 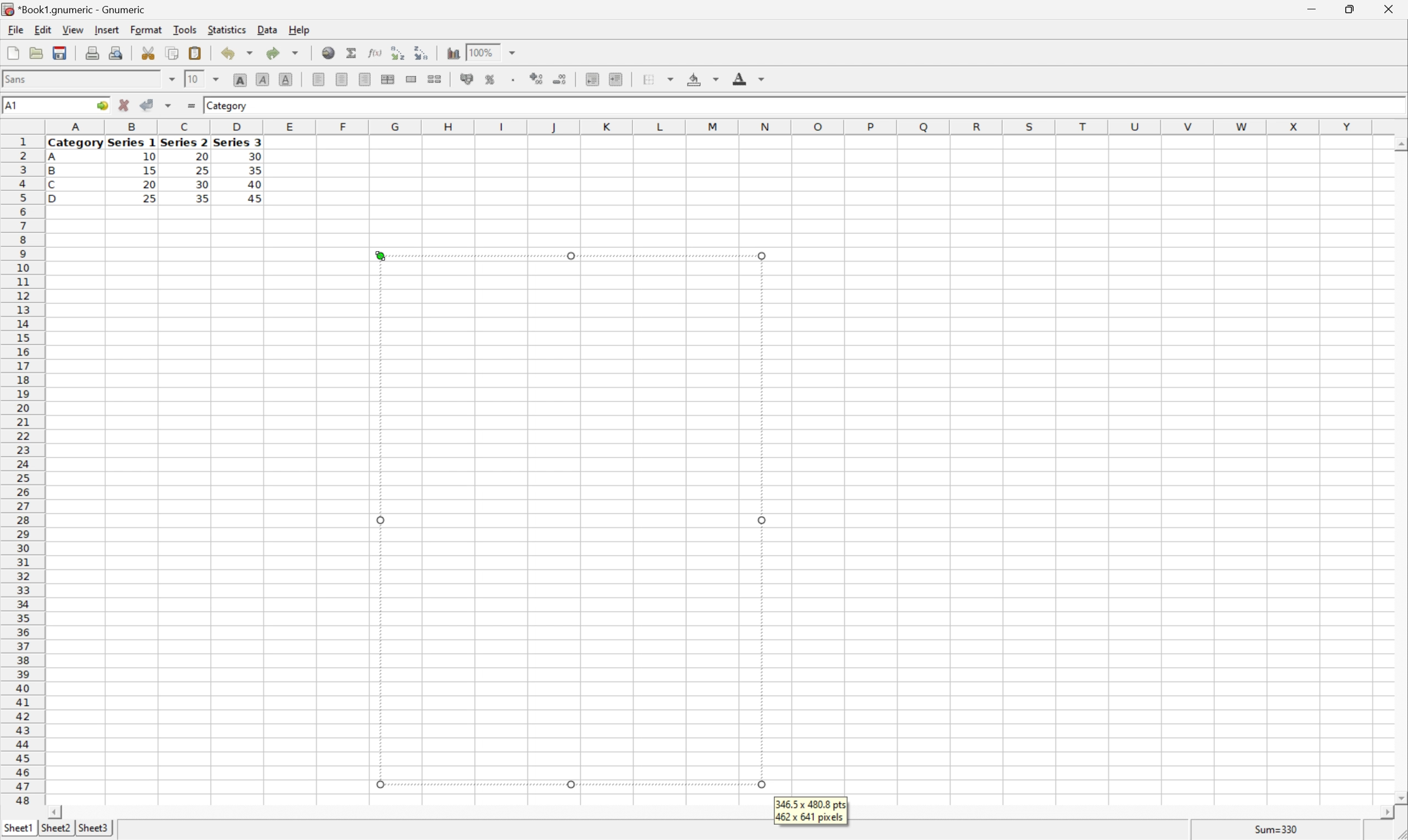 I want to click on 20, so click(x=149, y=185).